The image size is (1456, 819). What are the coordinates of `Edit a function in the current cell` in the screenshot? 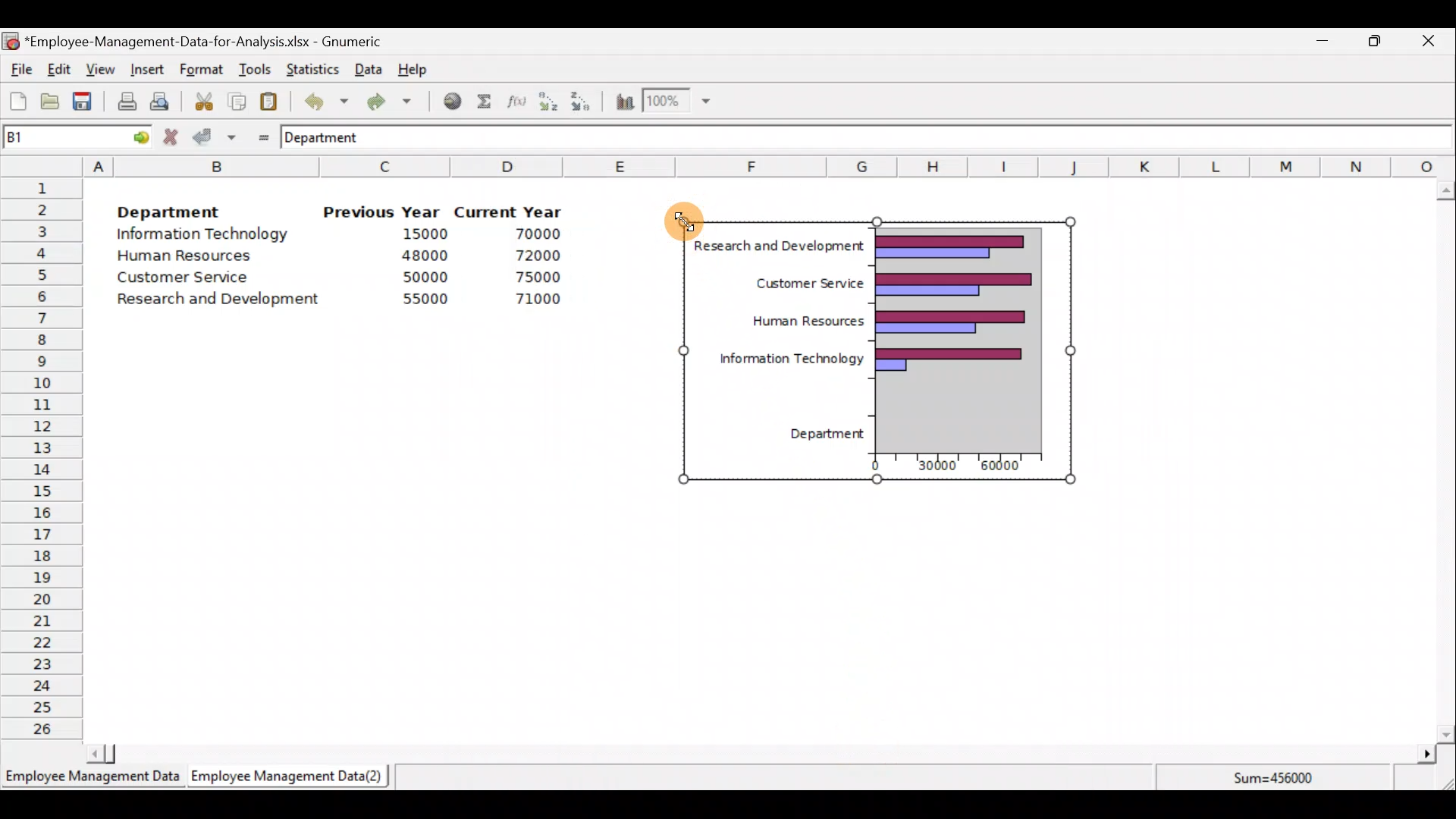 It's located at (516, 100).